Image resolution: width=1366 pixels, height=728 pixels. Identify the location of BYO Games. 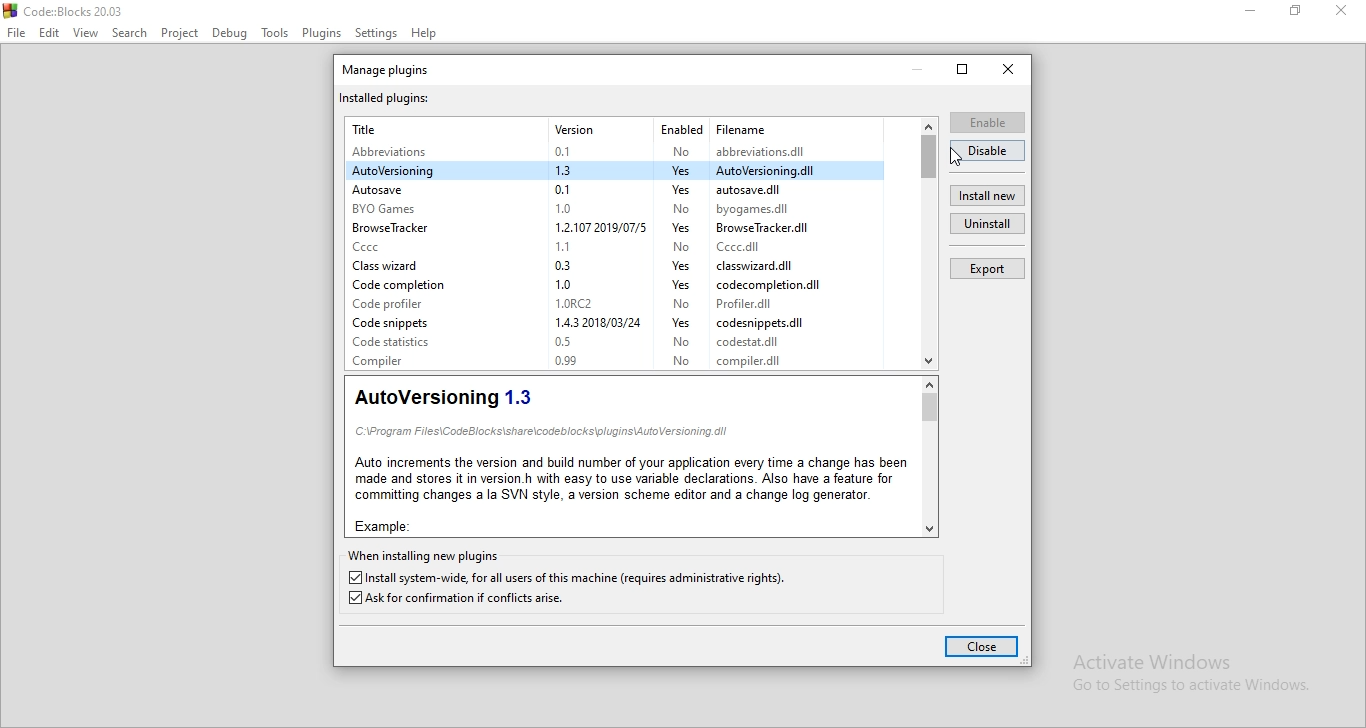
(388, 210).